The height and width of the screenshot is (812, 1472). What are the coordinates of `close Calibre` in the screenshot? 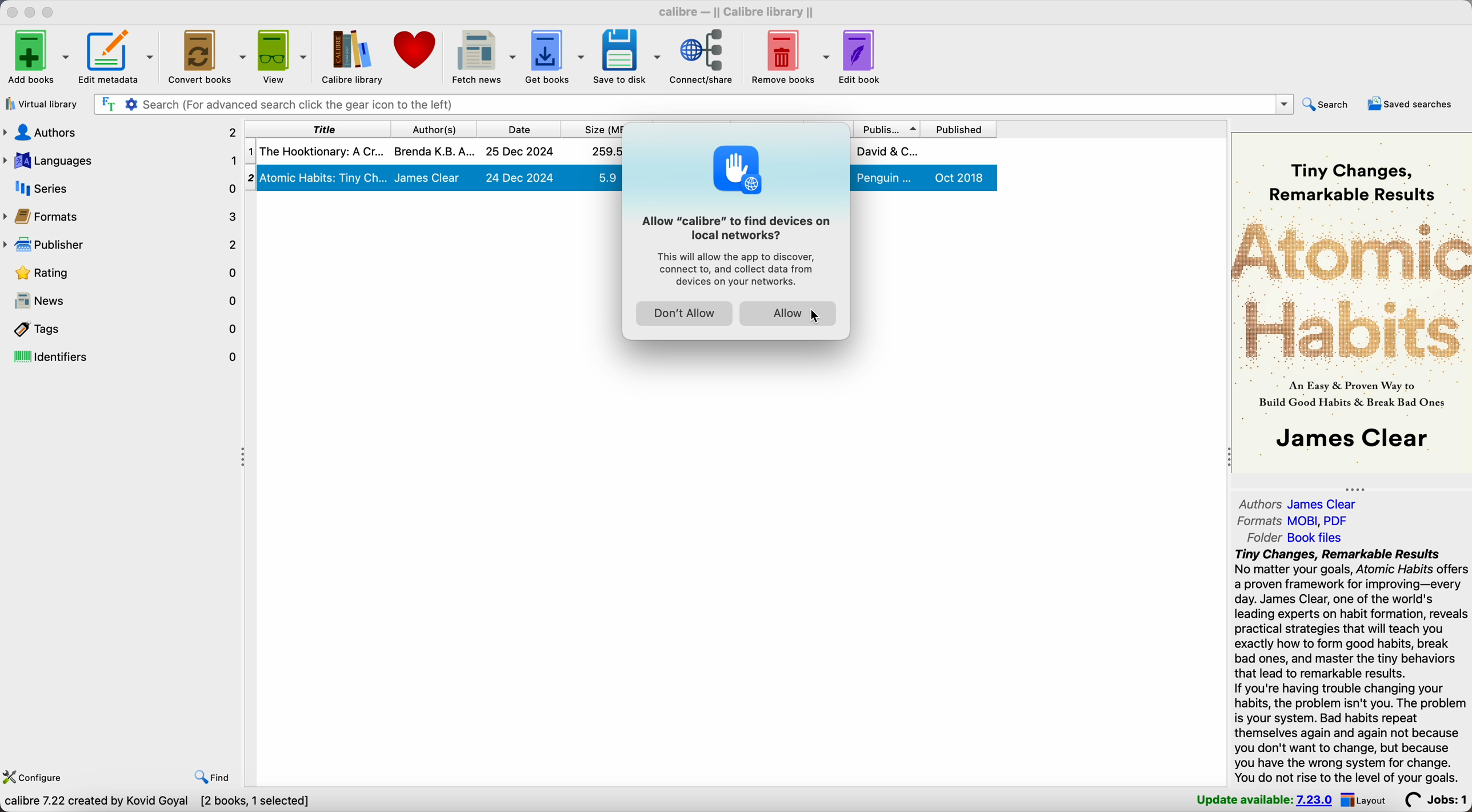 It's located at (10, 11).